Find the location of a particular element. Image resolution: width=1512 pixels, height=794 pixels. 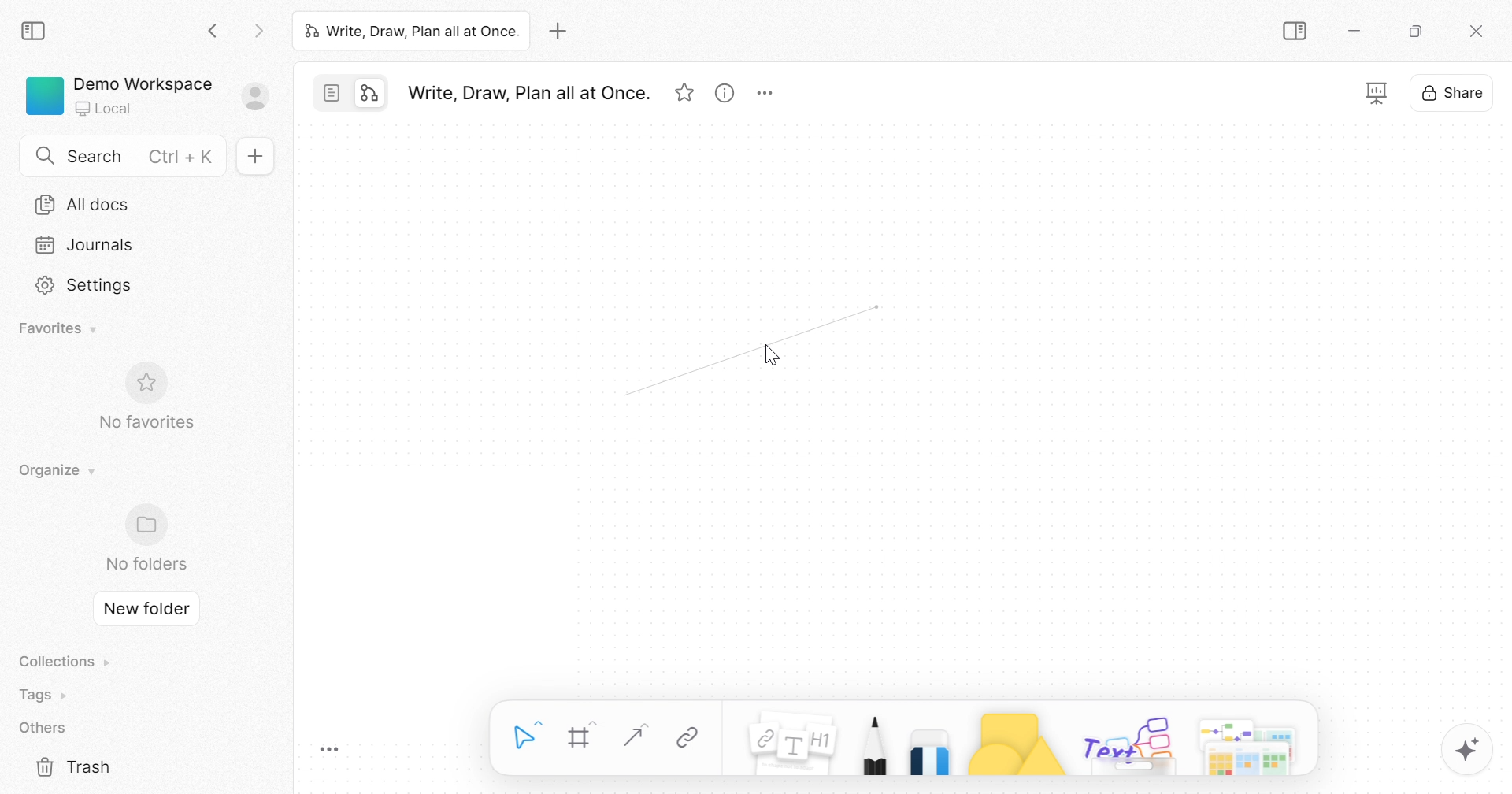

Select is located at coordinates (527, 736).